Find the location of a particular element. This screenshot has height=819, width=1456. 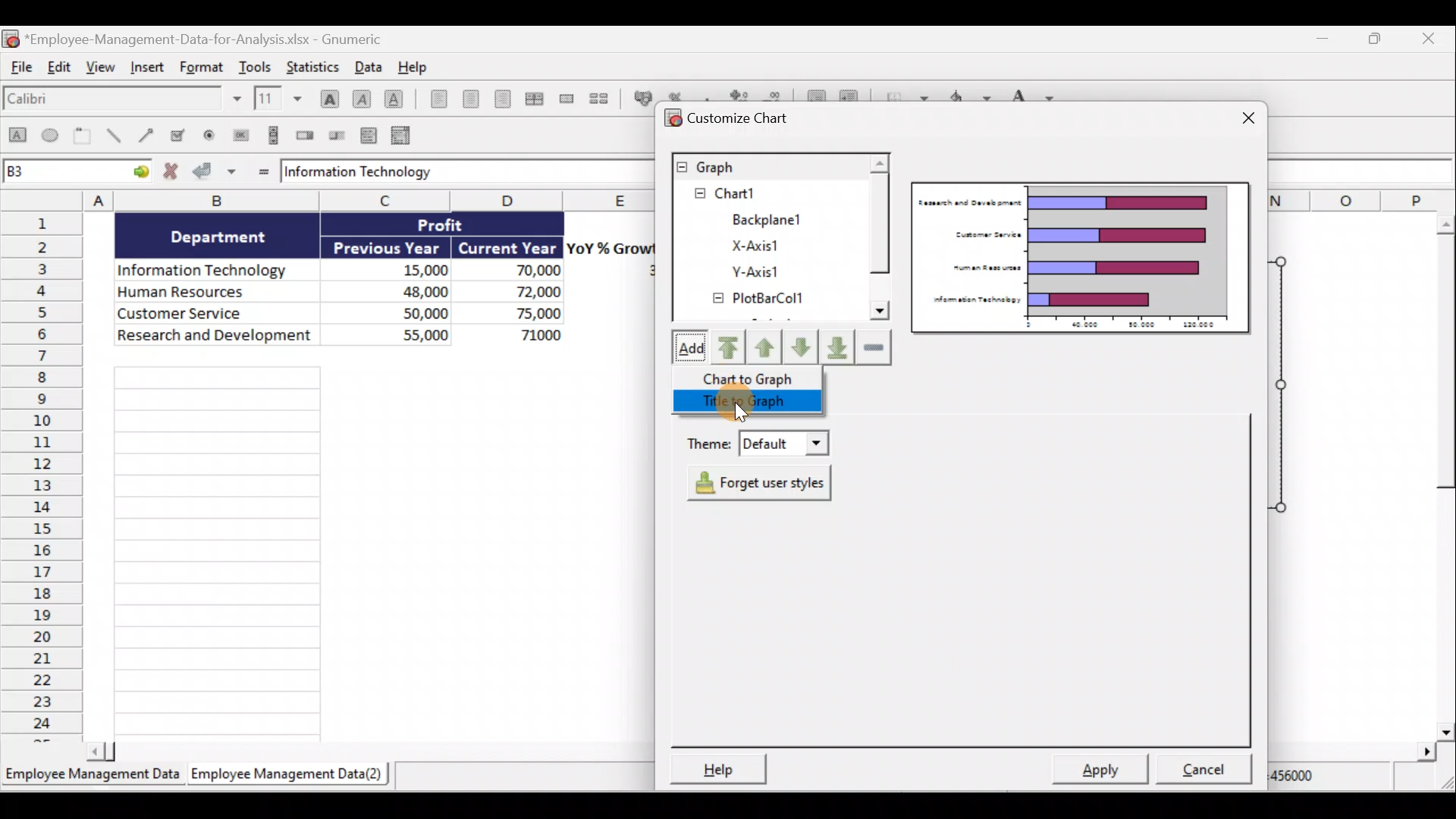

Create a frame is located at coordinates (86, 137).